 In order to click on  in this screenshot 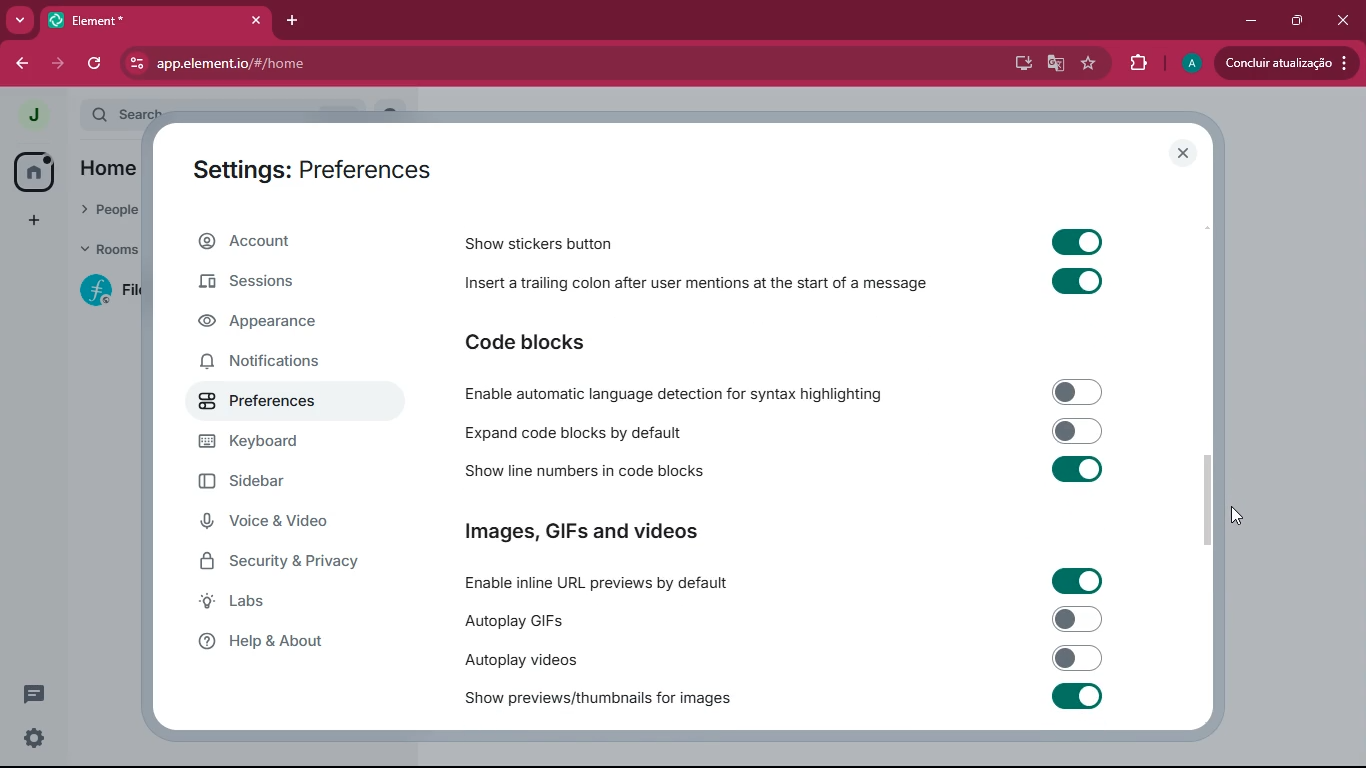, I will do `click(1078, 658)`.